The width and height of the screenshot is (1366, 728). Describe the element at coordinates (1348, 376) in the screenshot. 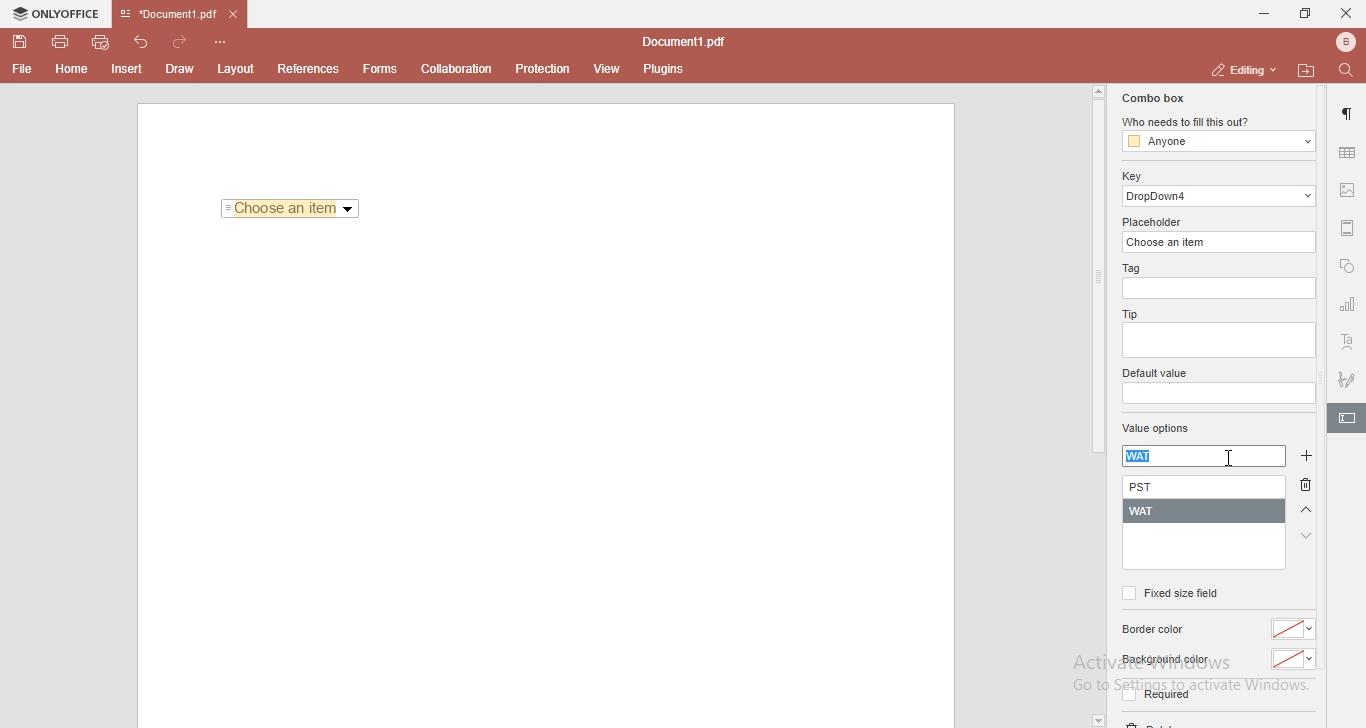

I see `signature` at that location.